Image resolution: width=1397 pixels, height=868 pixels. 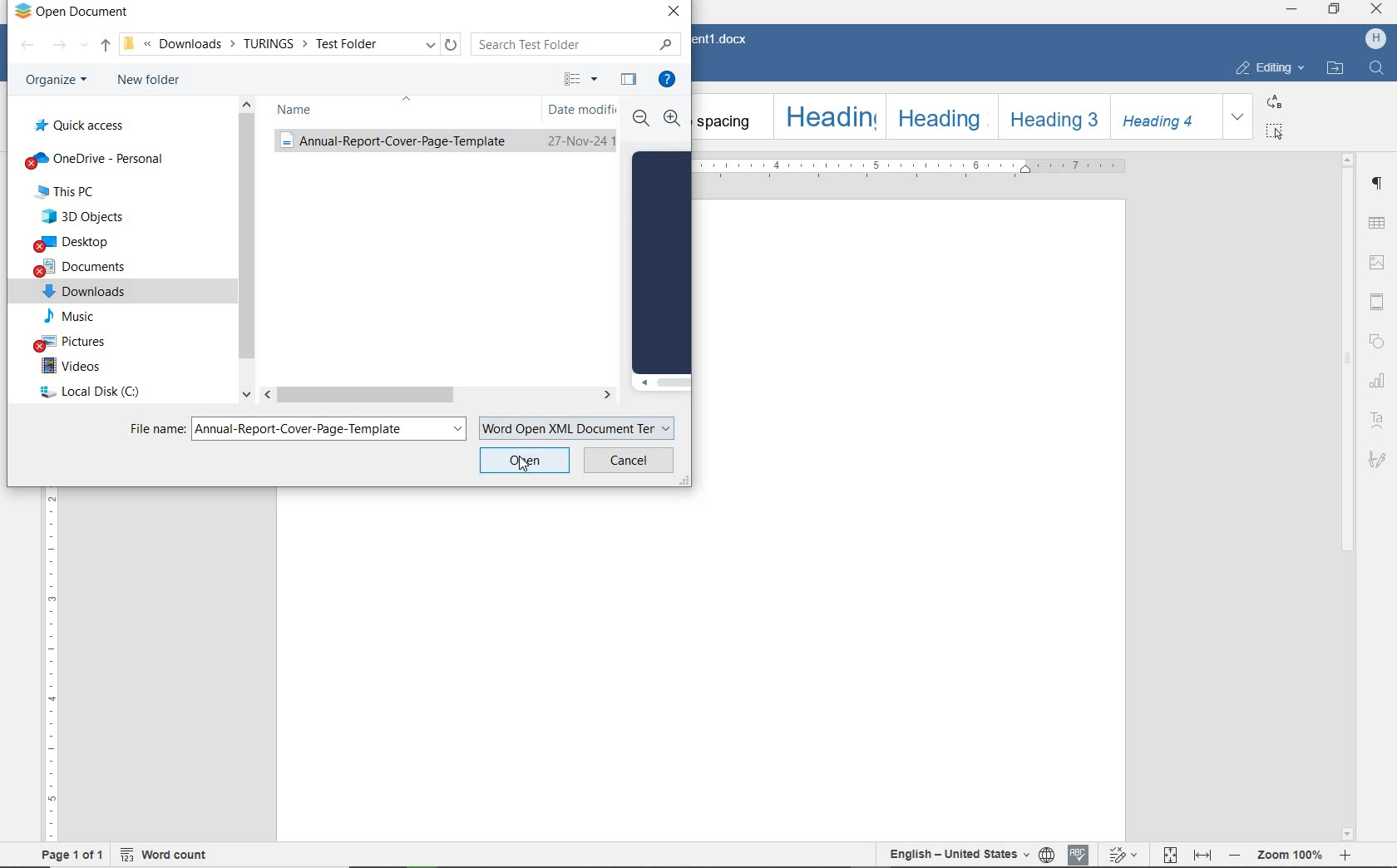 What do you see at coordinates (72, 854) in the screenshot?
I see `Page 1 0f 1` at bounding box center [72, 854].